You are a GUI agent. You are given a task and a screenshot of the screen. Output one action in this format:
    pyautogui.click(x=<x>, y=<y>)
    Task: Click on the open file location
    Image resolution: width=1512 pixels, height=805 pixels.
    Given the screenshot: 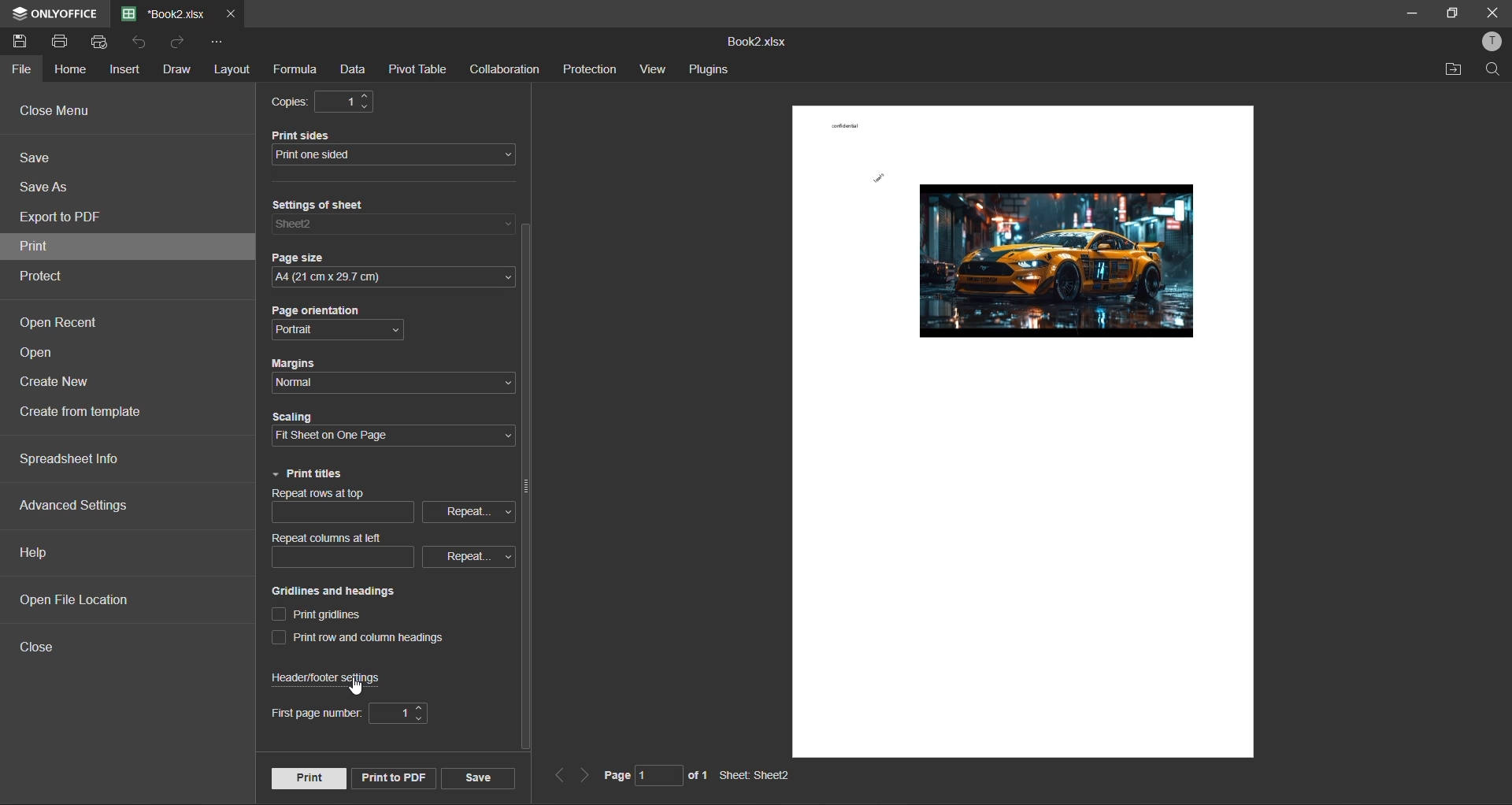 What is the action you would take?
    pyautogui.click(x=69, y=599)
    